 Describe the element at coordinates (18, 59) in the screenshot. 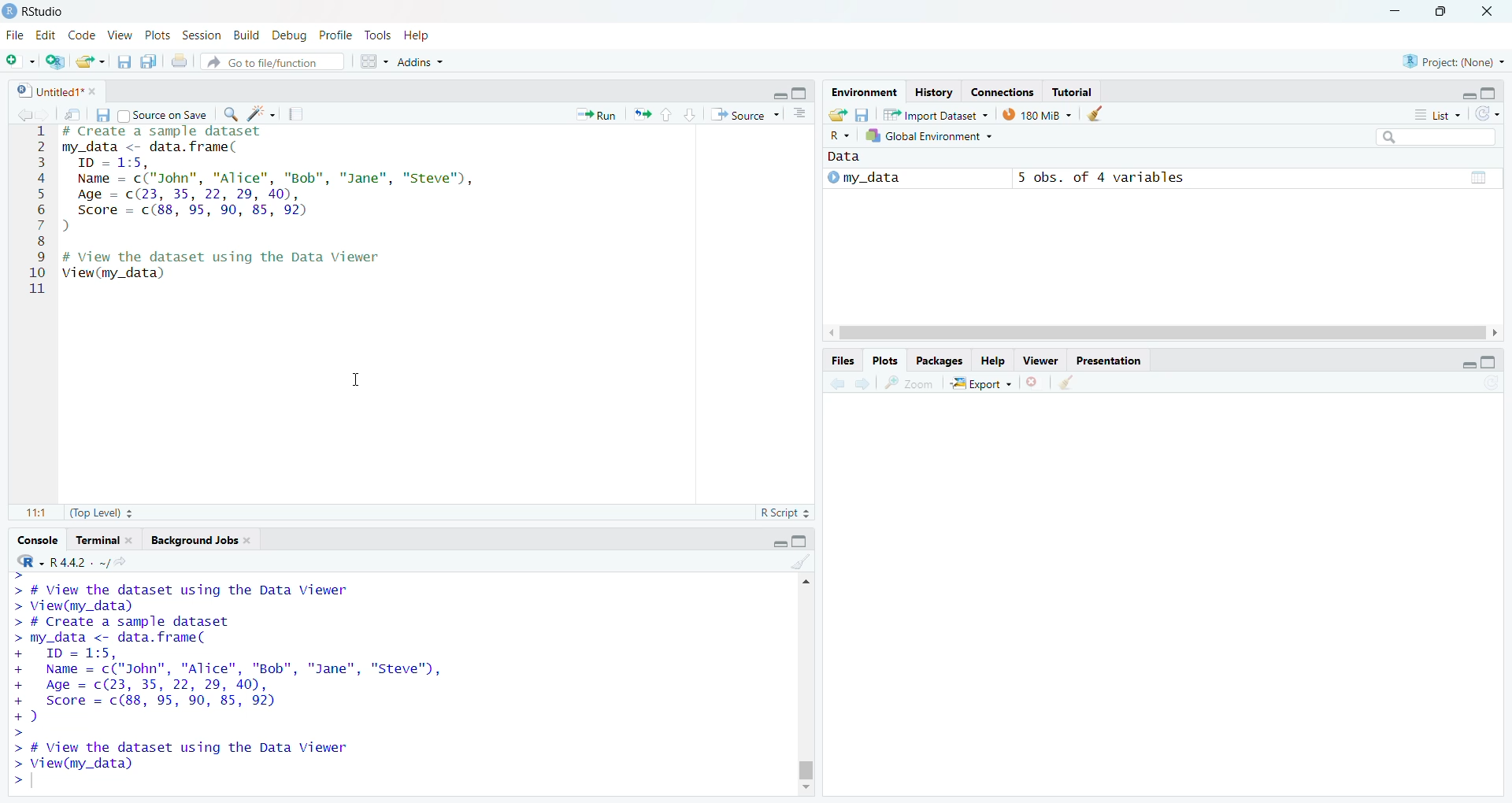

I see `New file` at that location.